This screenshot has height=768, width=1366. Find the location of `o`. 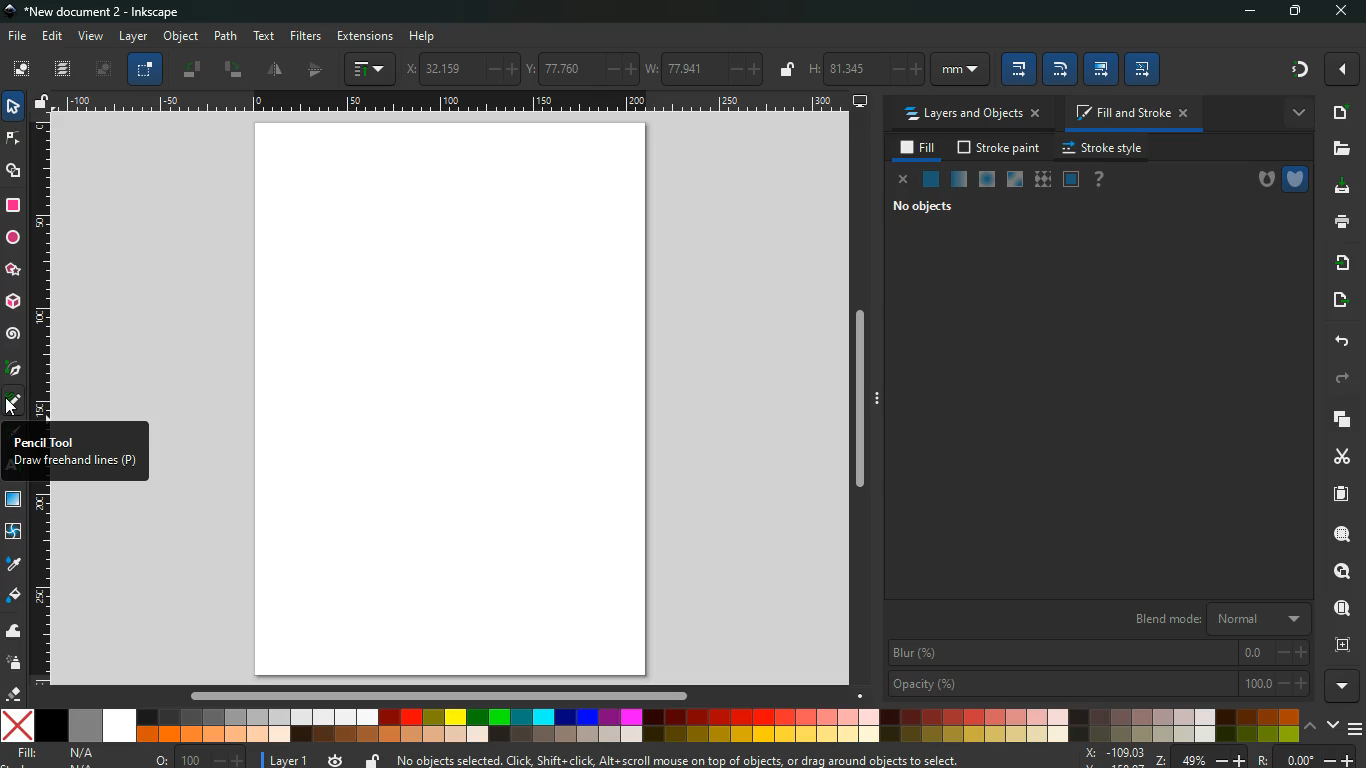

o is located at coordinates (201, 757).